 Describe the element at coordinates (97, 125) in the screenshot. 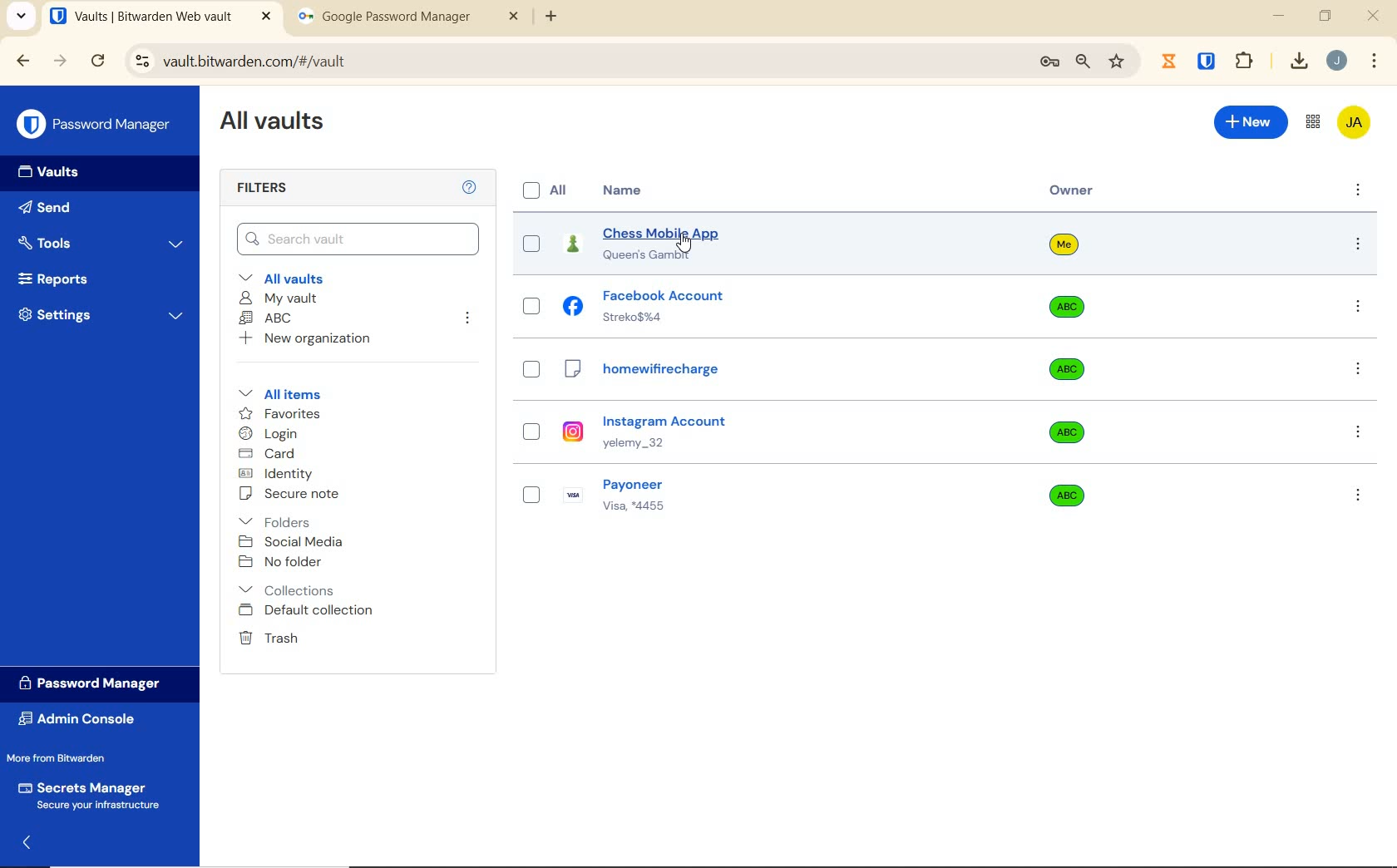

I see `Password Manager` at that location.